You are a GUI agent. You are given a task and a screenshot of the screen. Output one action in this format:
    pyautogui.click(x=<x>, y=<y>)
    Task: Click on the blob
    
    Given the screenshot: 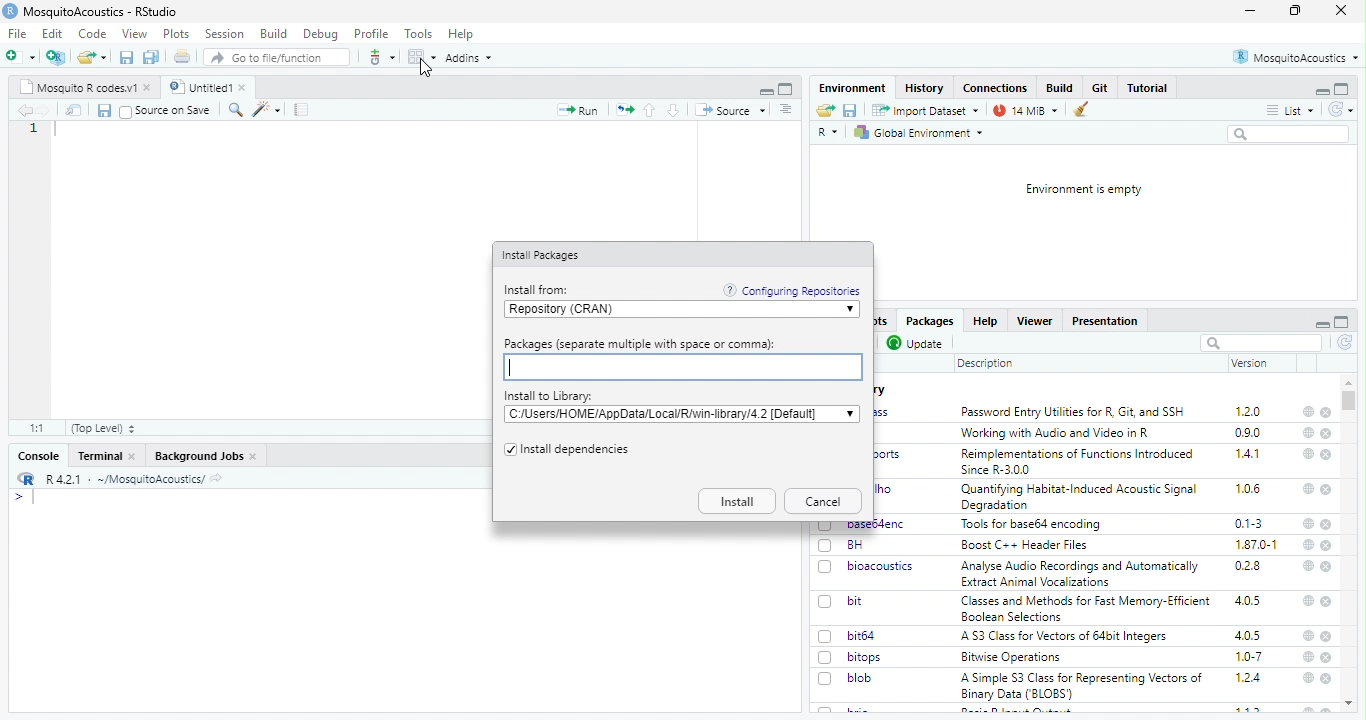 What is the action you would take?
    pyautogui.click(x=860, y=678)
    